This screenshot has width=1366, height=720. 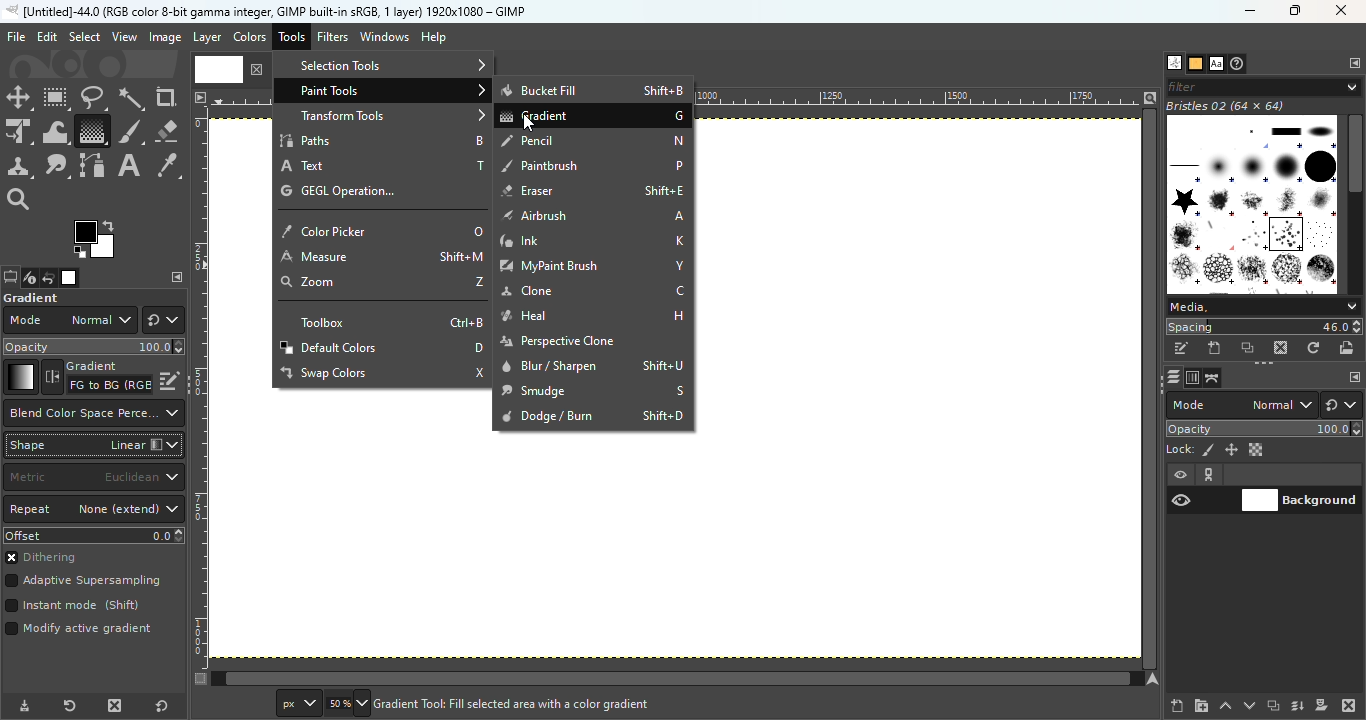 What do you see at coordinates (590, 293) in the screenshot?
I see `Clone` at bounding box center [590, 293].